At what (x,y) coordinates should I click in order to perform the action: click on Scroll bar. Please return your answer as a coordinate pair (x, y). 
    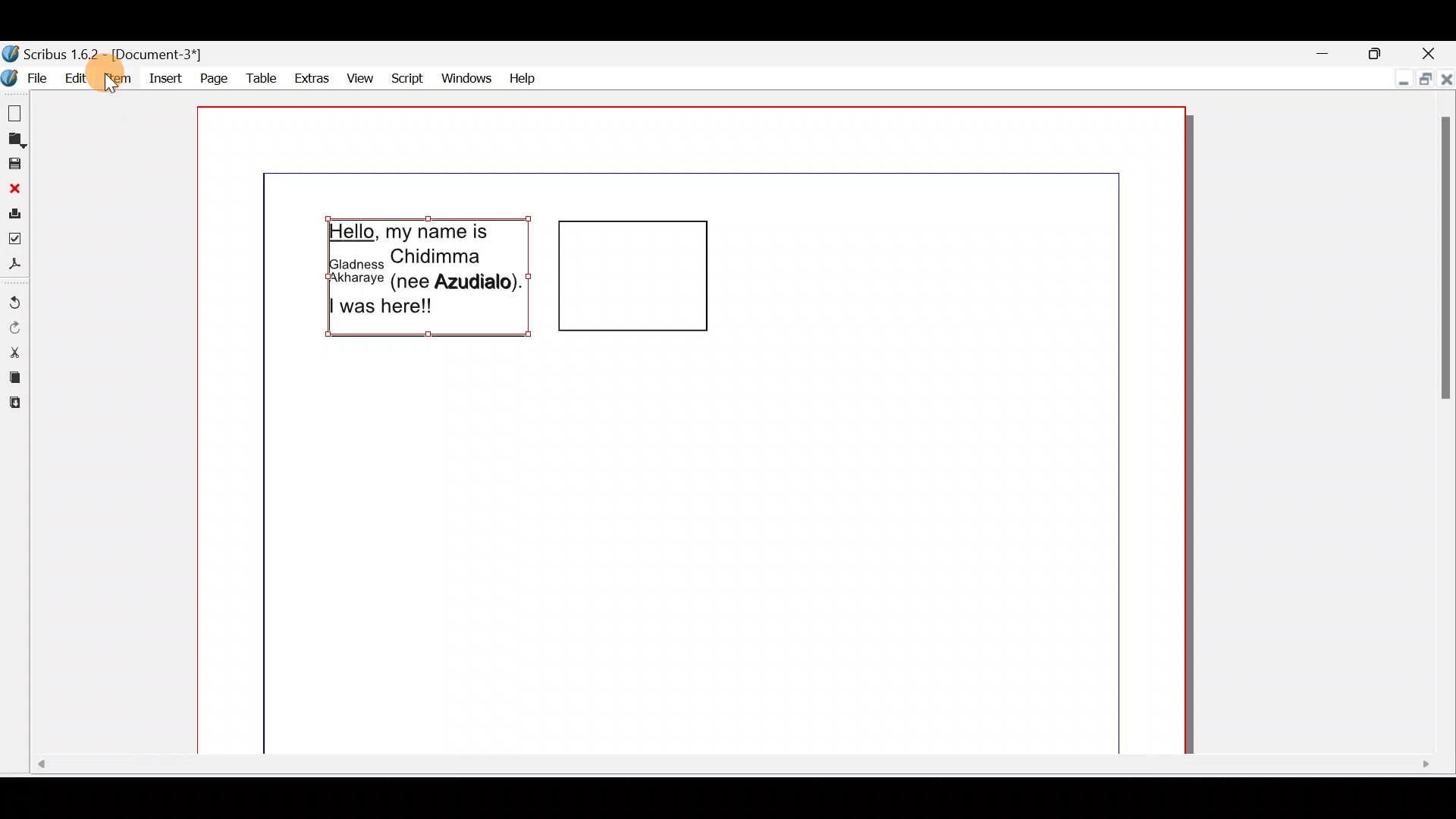
    Looking at the image, I should click on (1442, 425).